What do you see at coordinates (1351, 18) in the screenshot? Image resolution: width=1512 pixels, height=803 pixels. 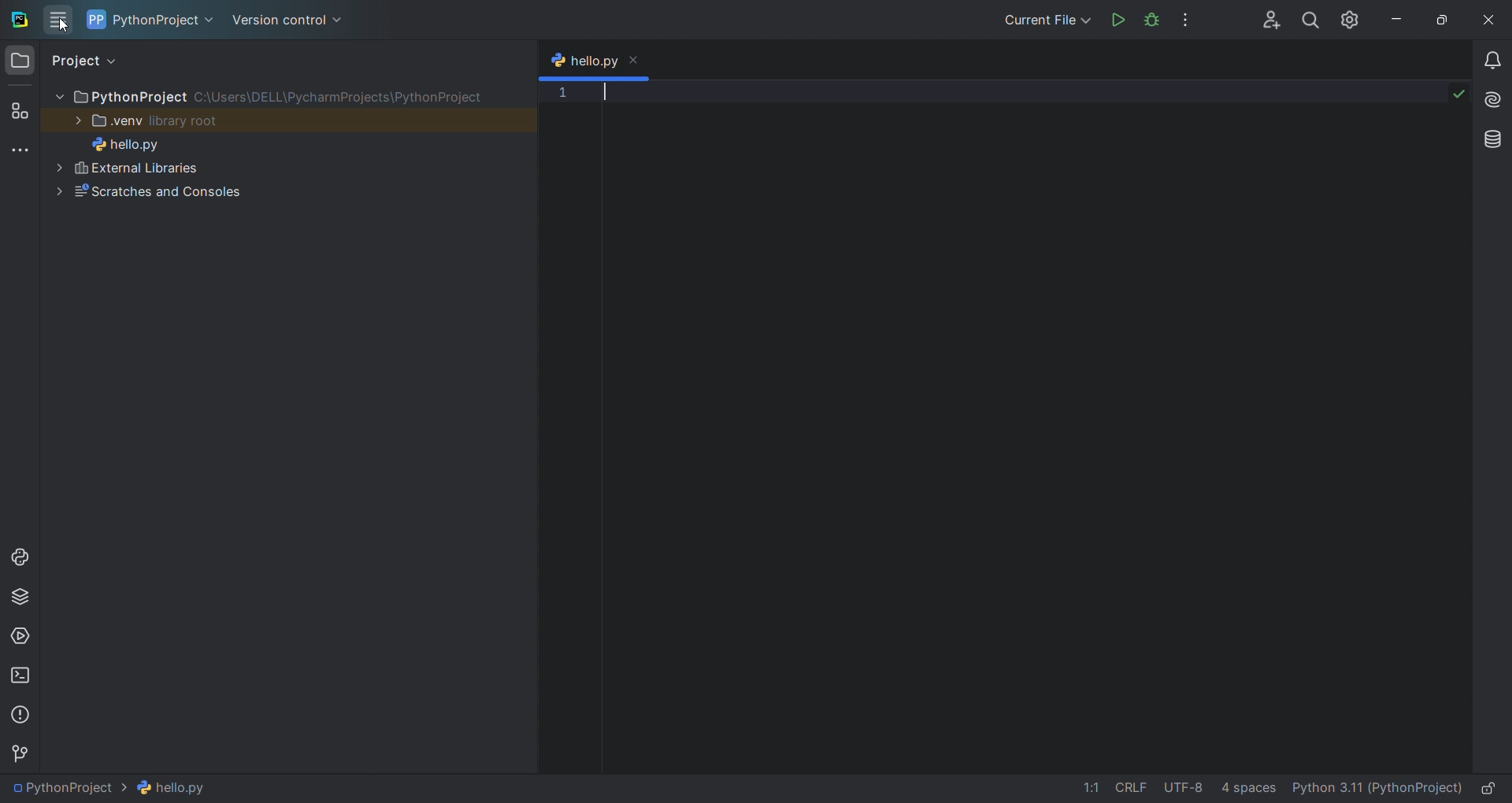 I see `settings` at bounding box center [1351, 18].